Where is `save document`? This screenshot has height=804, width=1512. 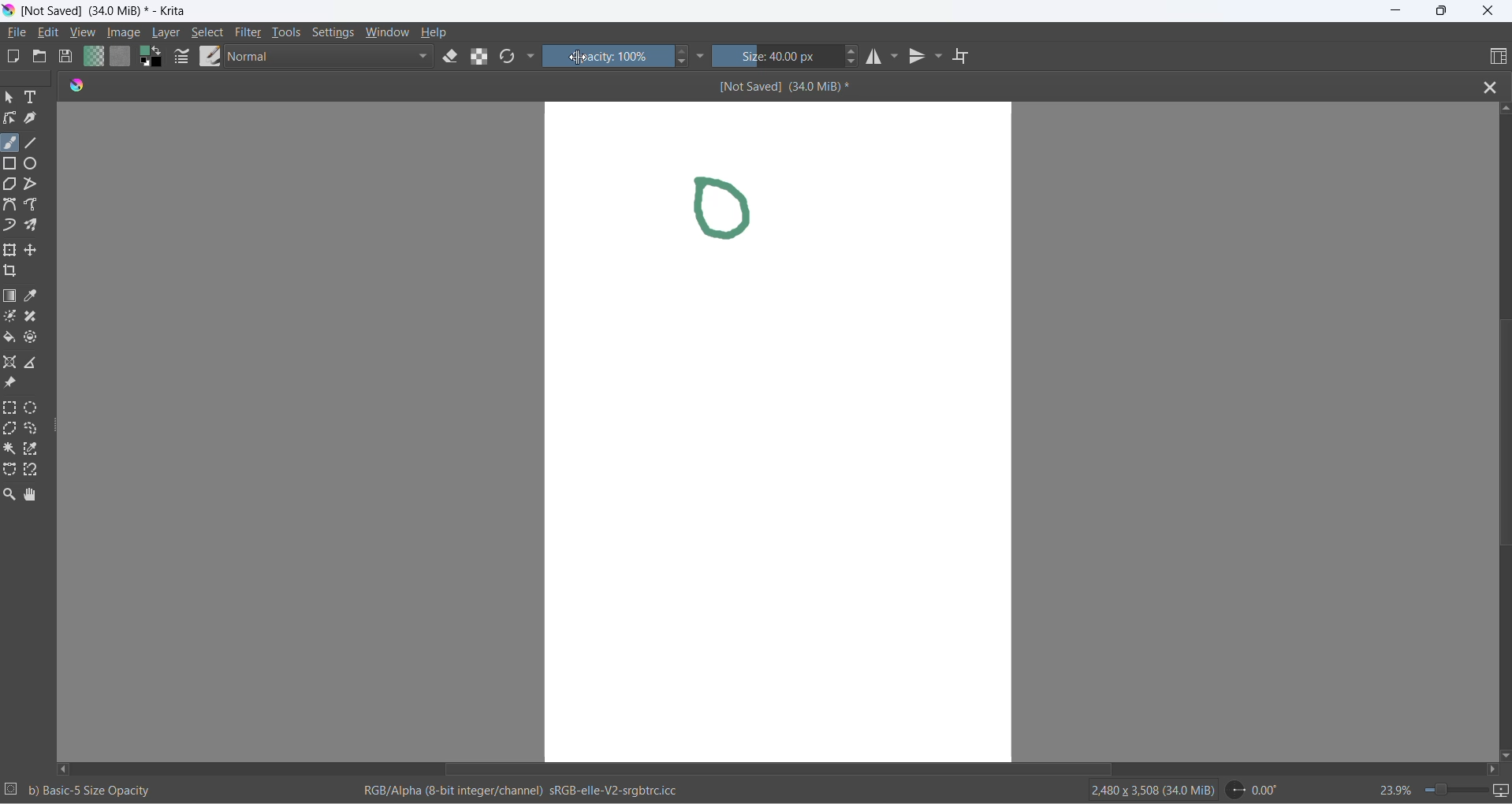
save document is located at coordinates (68, 56).